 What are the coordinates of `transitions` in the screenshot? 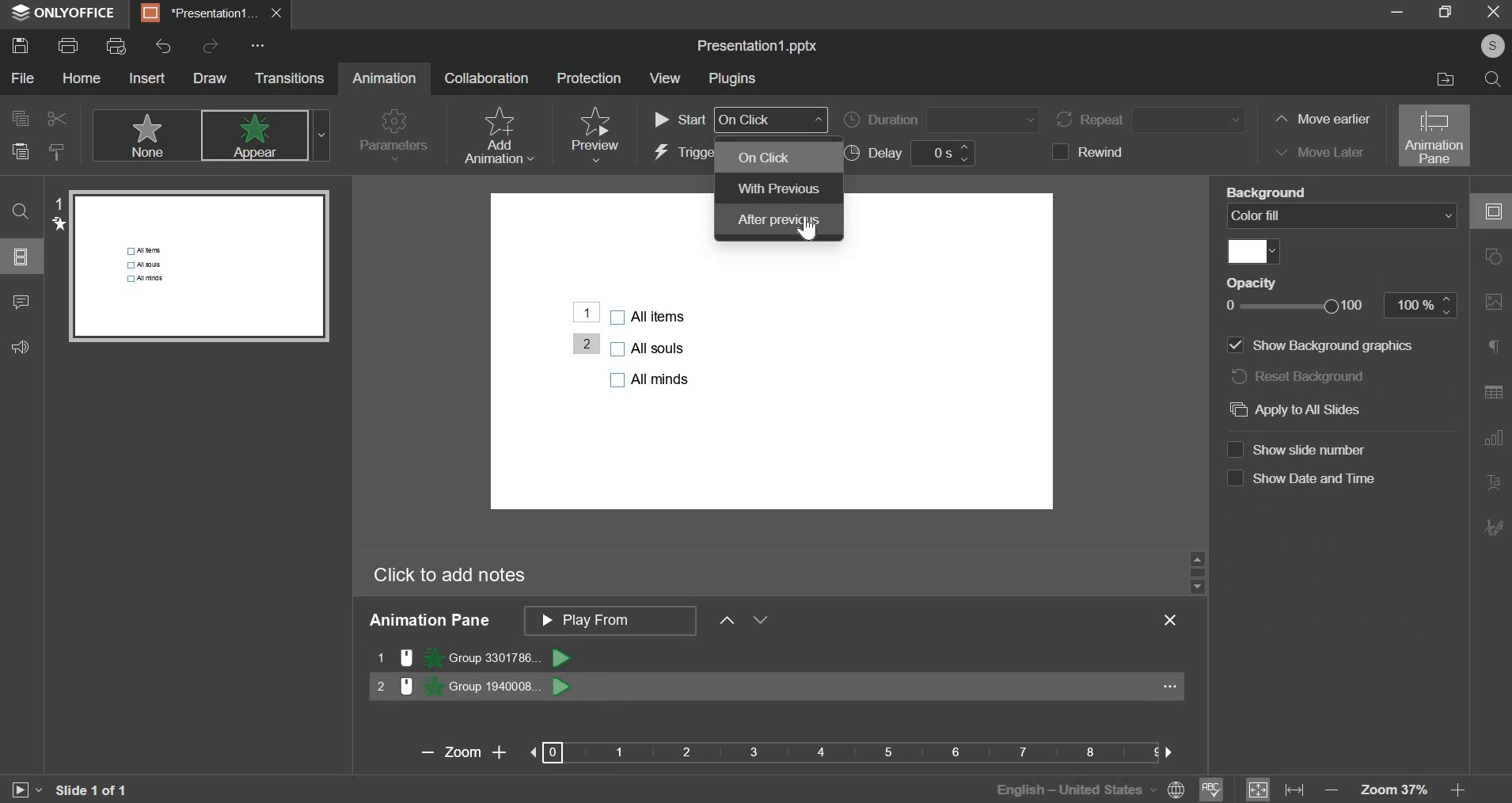 It's located at (289, 78).